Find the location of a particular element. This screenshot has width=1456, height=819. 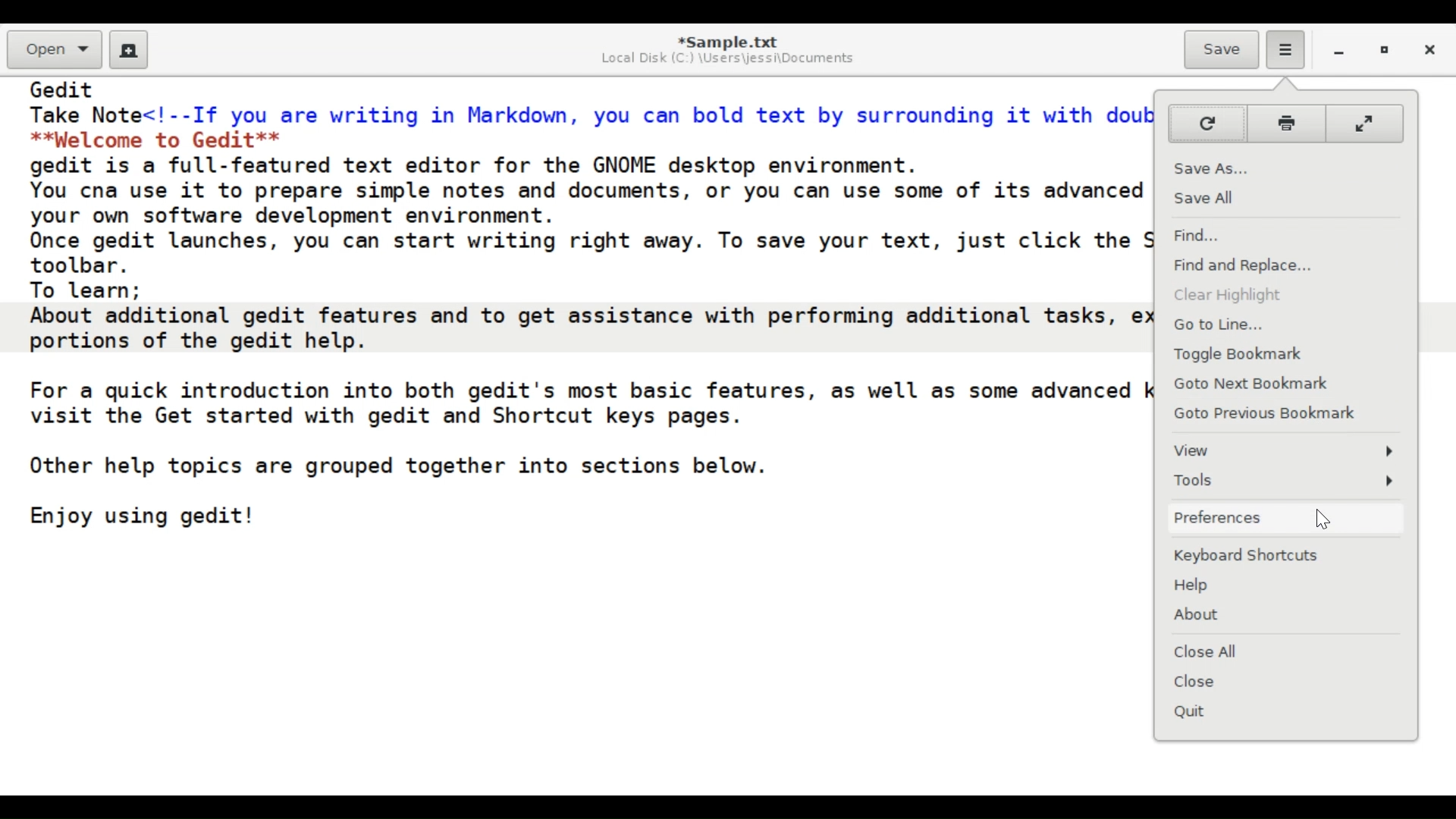

Create a new document is located at coordinates (129, 50).